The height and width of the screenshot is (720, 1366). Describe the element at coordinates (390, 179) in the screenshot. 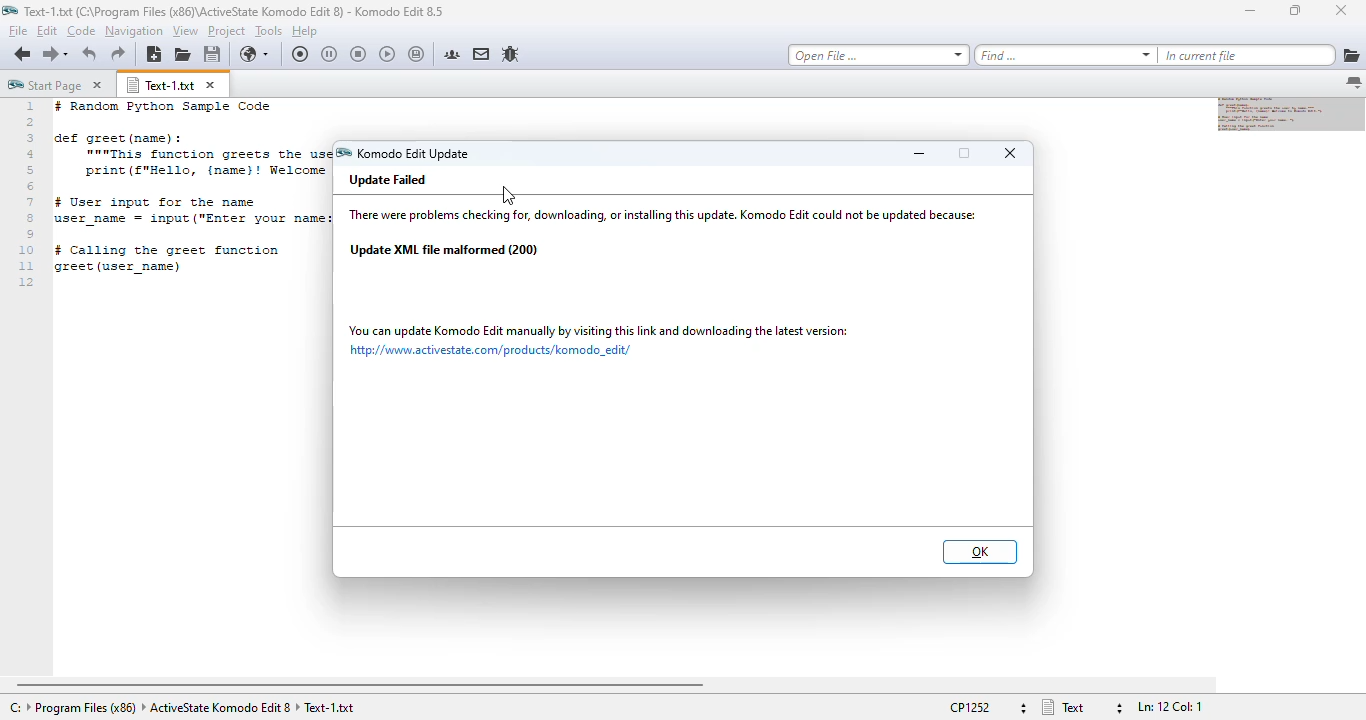

I see `update failed` at that location.